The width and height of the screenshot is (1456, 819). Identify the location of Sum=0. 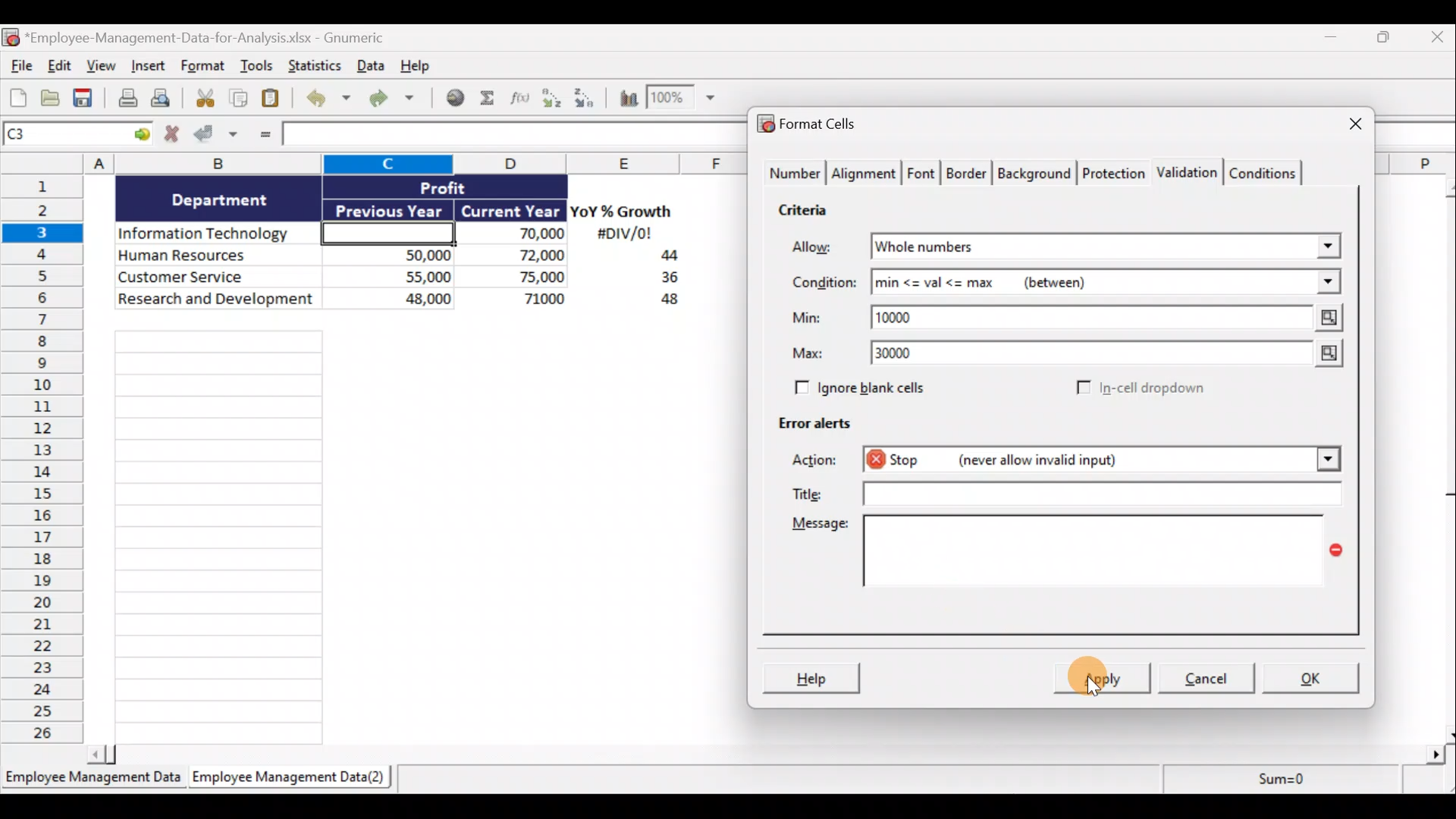
(1275, 783).